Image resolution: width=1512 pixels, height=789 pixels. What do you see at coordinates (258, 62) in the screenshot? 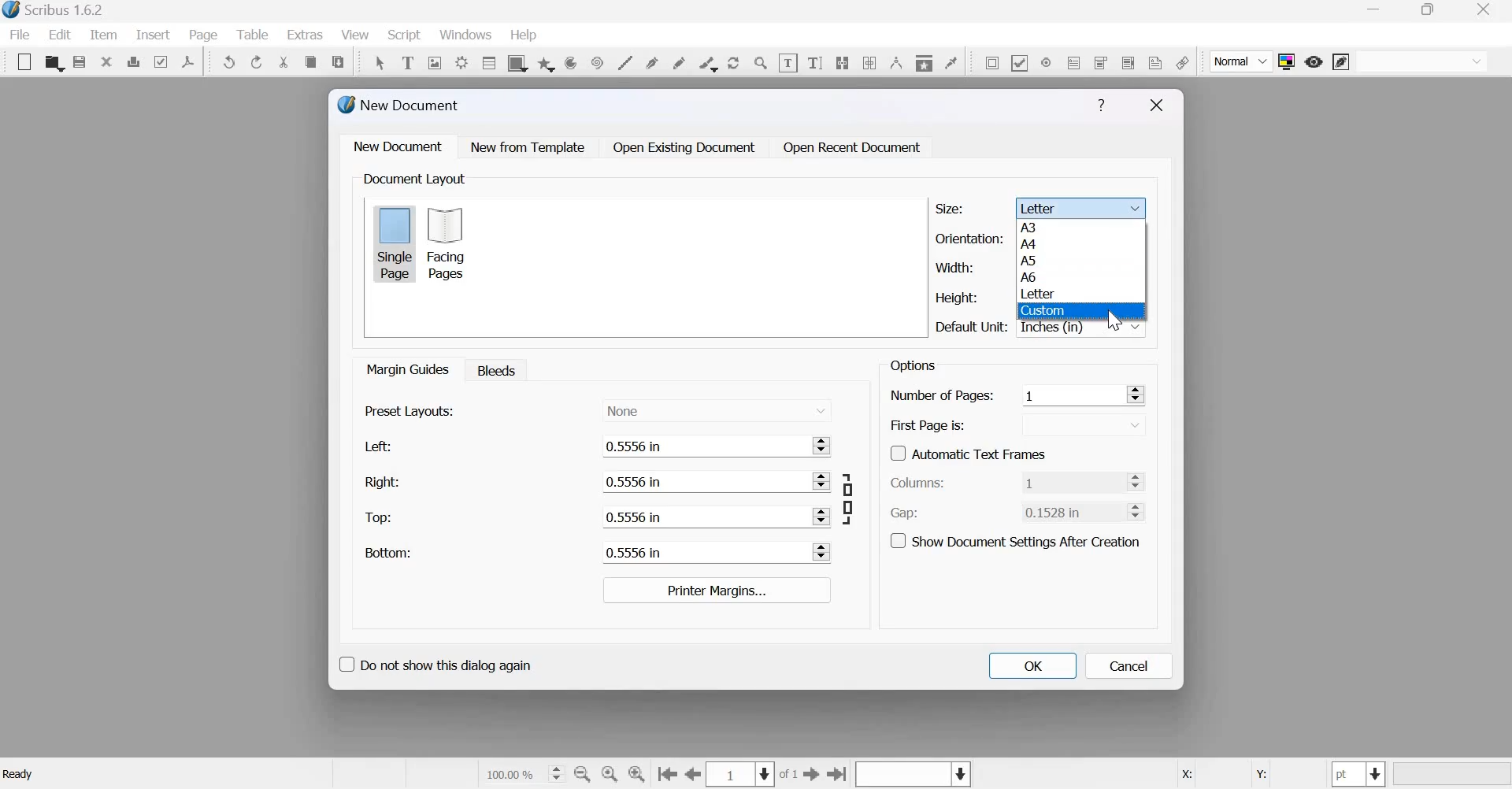
I see `Redo` at bounding box center [258, 62].